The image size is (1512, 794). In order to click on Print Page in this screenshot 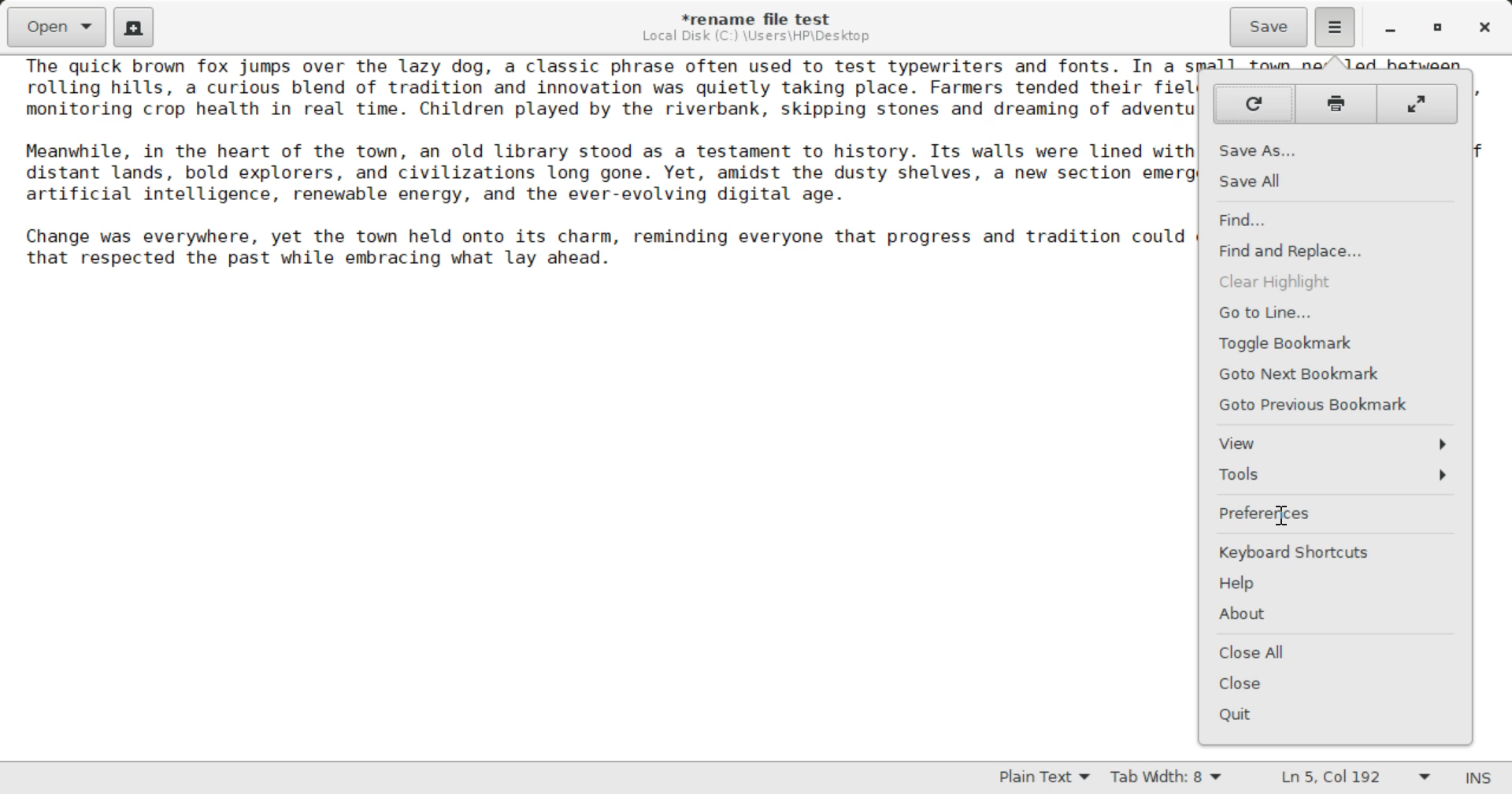, I will do `click(1337, 102)`.